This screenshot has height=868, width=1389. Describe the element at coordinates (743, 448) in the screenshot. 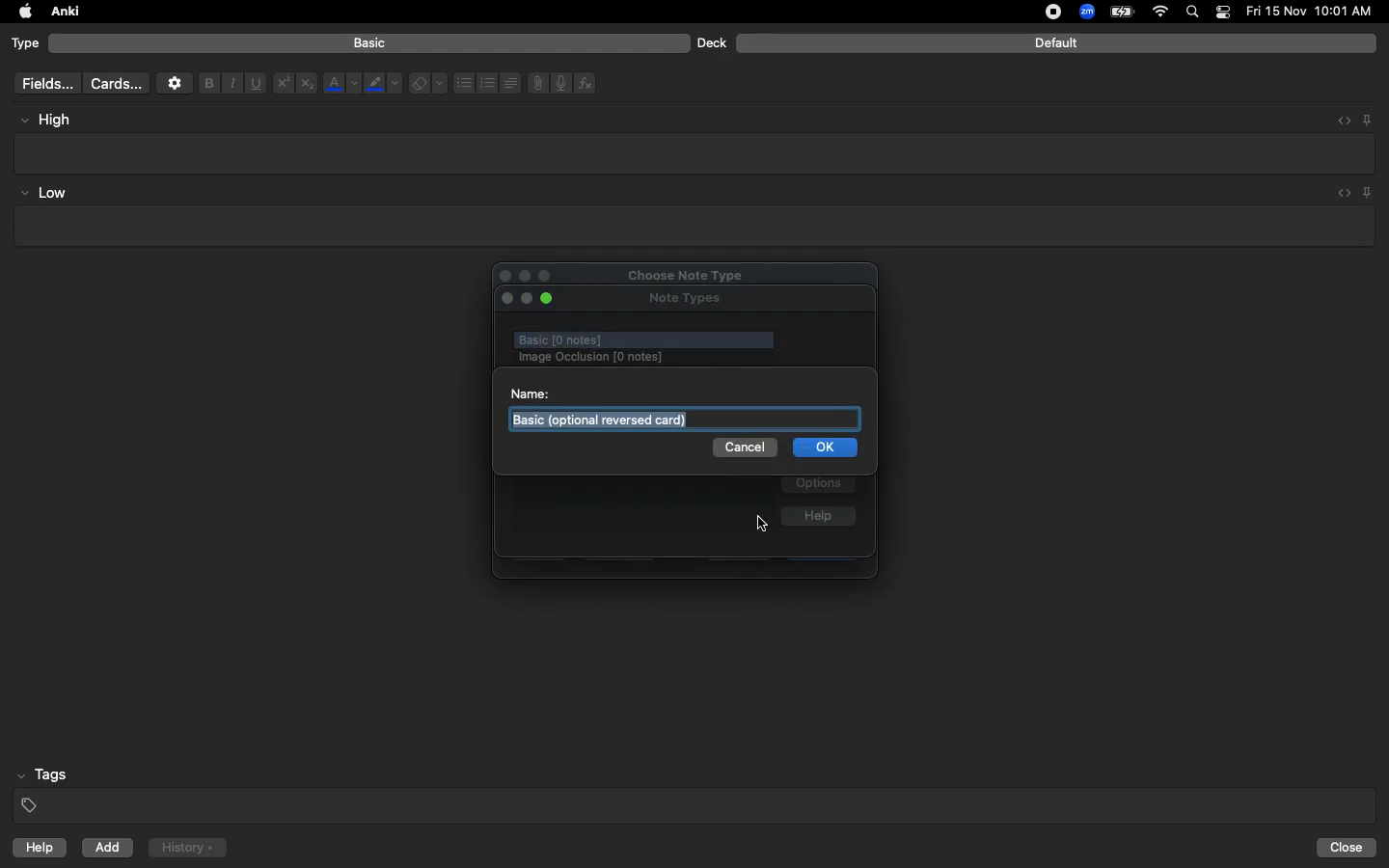

I see `Cancel` at that location.